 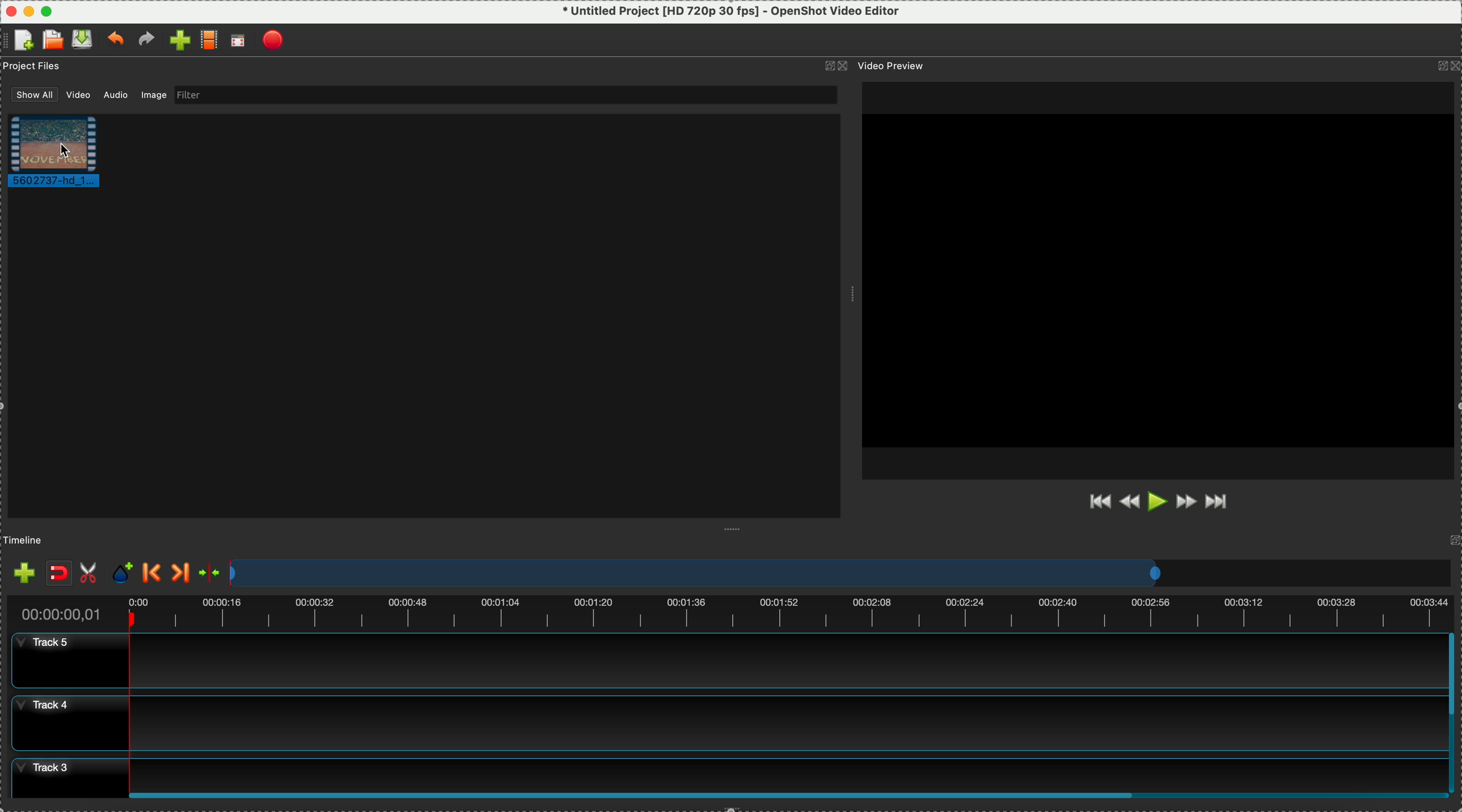 What do you see at coordinates (851, 296) in the screenshot?
I see `Window expanding` at bounding box center [851, 296].